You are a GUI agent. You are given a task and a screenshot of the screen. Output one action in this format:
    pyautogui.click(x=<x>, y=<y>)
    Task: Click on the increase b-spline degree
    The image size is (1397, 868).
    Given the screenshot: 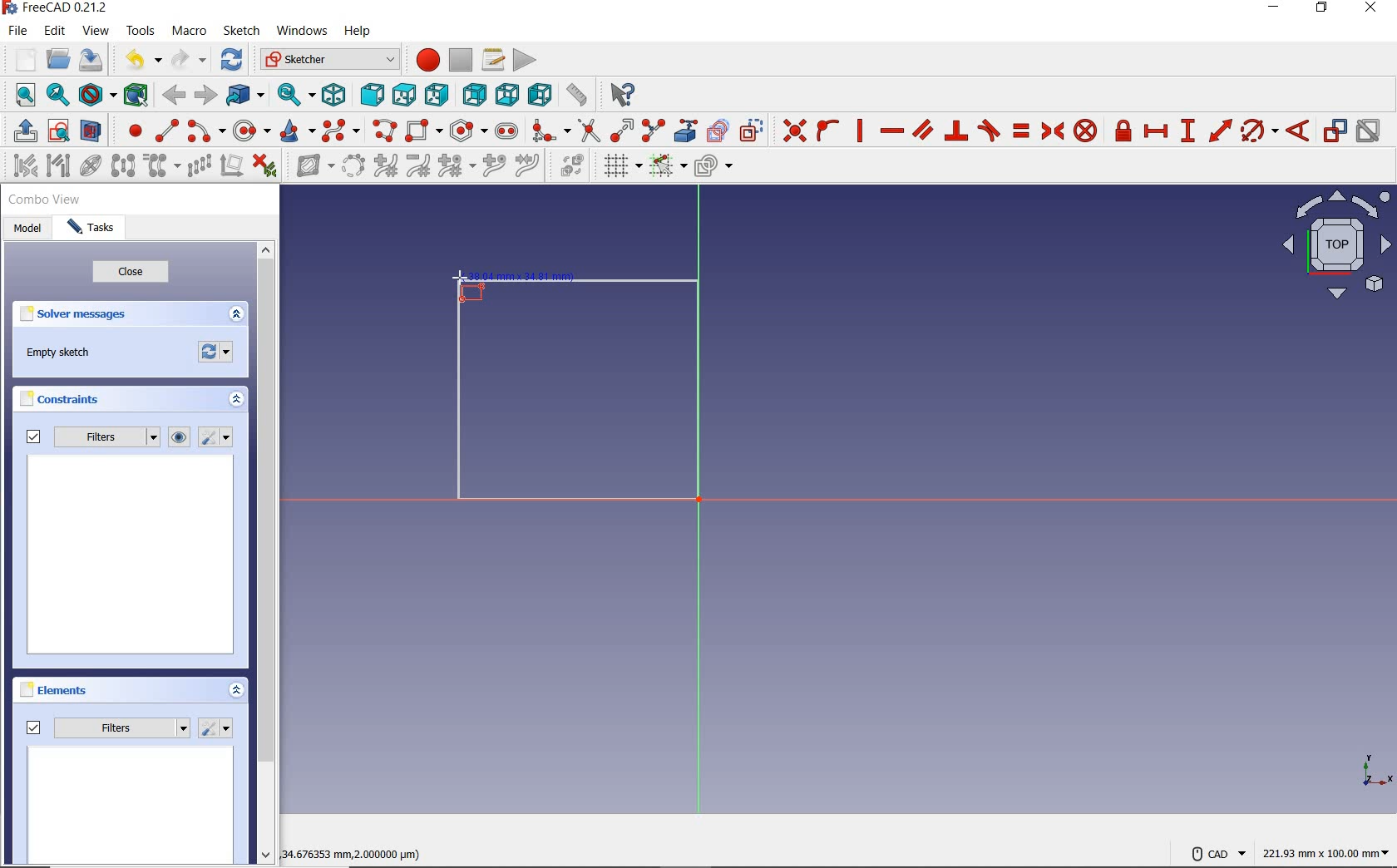 What is the action you would take?
    pyautogui.click(x=384, y=167)
    